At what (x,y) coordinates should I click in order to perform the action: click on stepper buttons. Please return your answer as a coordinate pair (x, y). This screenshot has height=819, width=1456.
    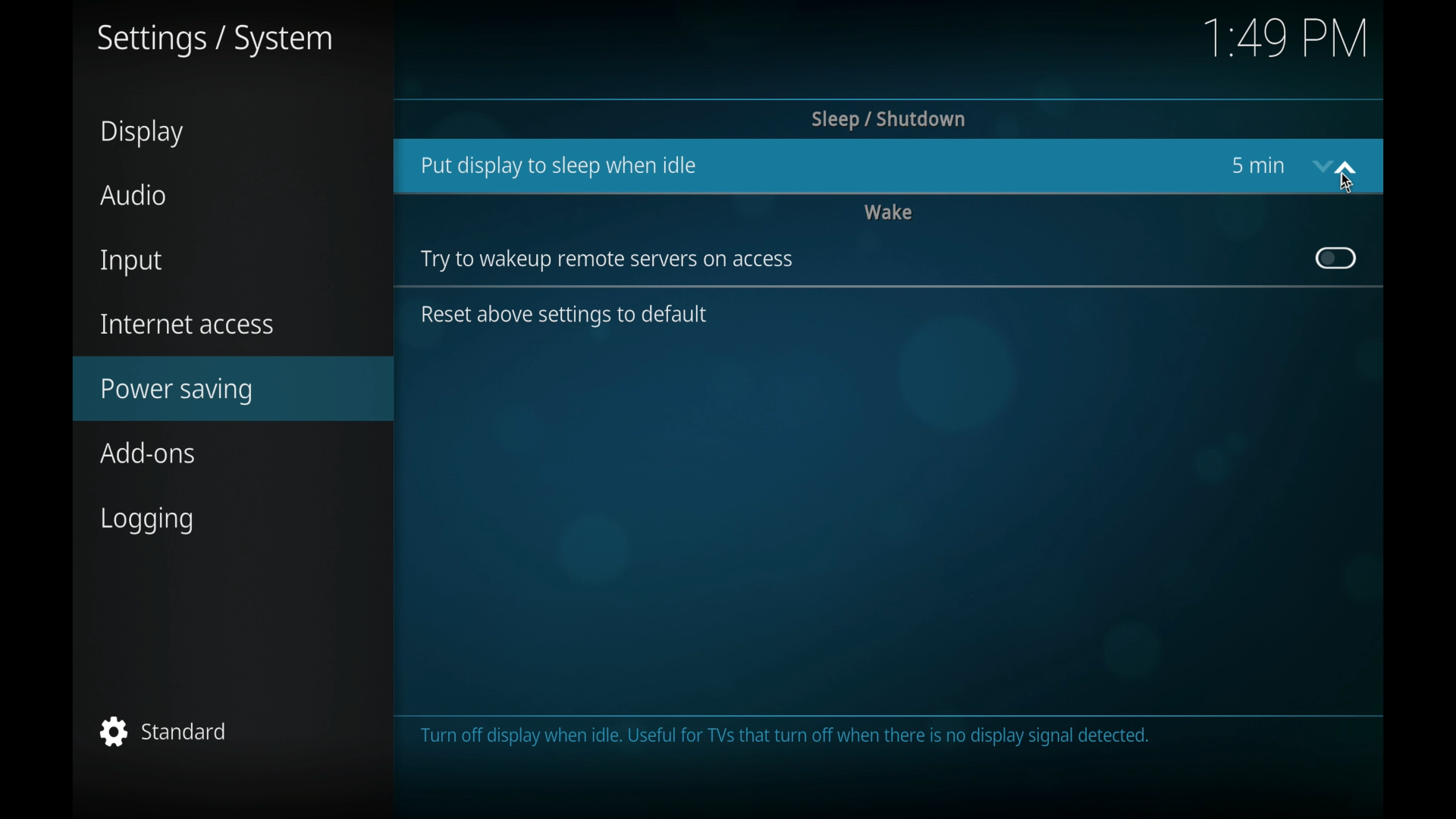
    Looking at the image, I should click on (1333, 166).